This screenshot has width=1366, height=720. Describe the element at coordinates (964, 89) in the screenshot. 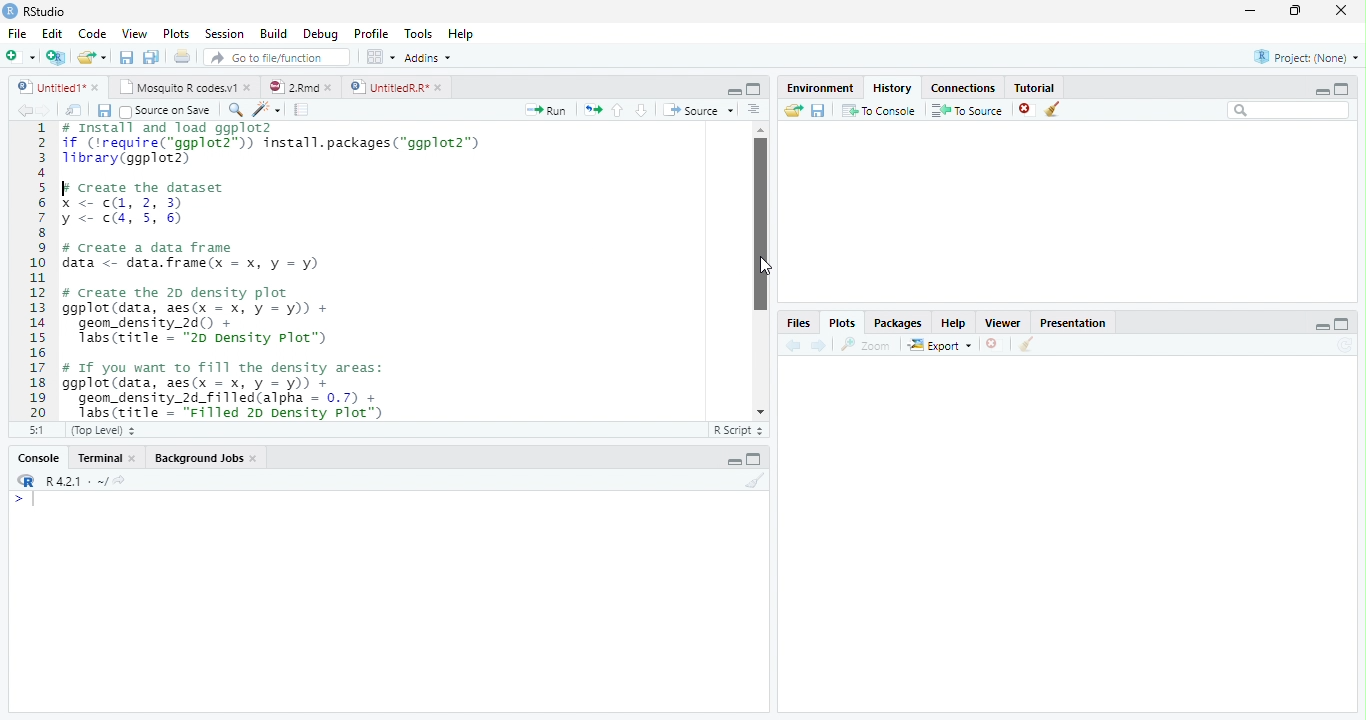

I see `Connections` at that location.